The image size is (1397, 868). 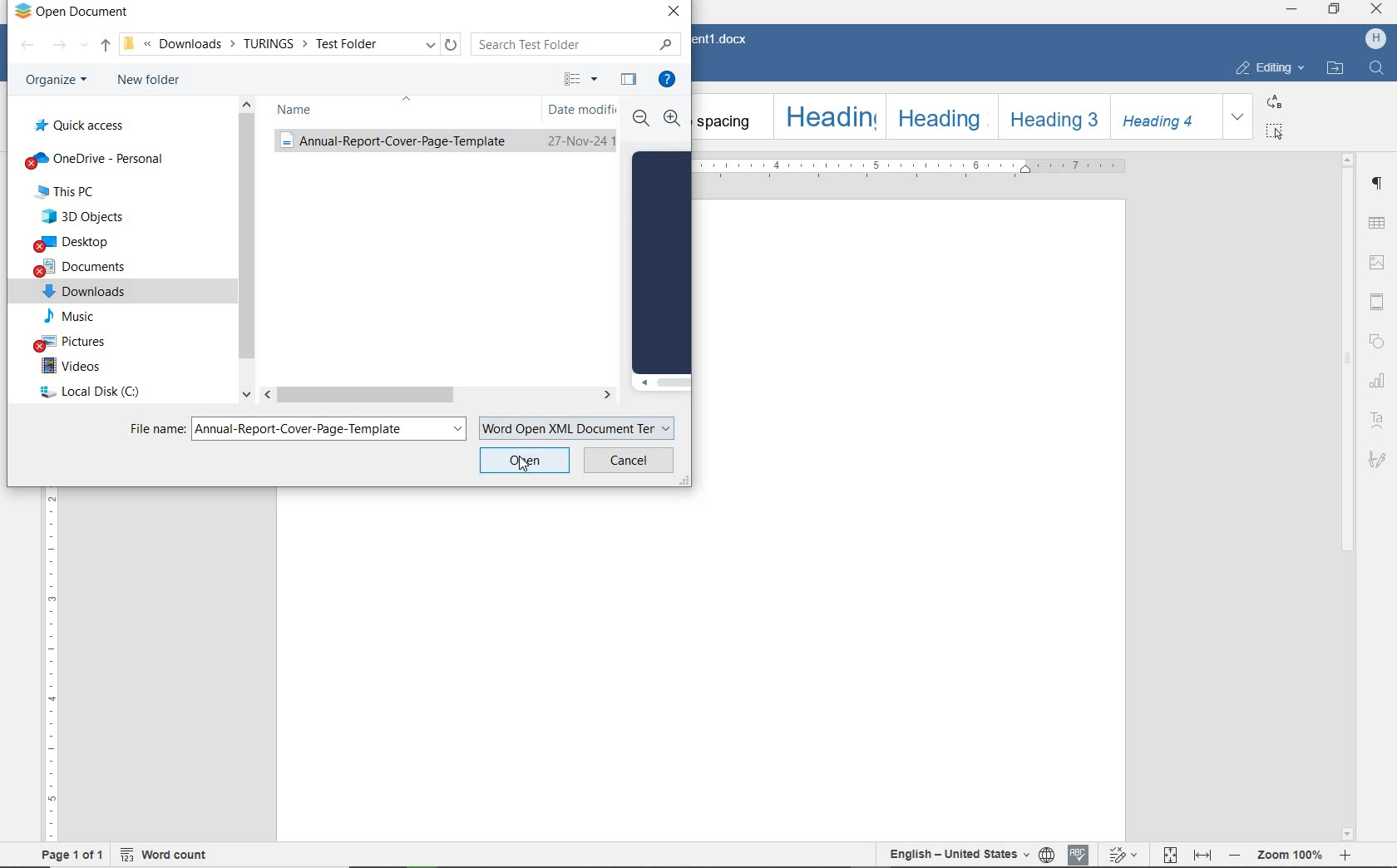 I want to click on CHANGE YOUR VIEW, so click(x=579, y=79).